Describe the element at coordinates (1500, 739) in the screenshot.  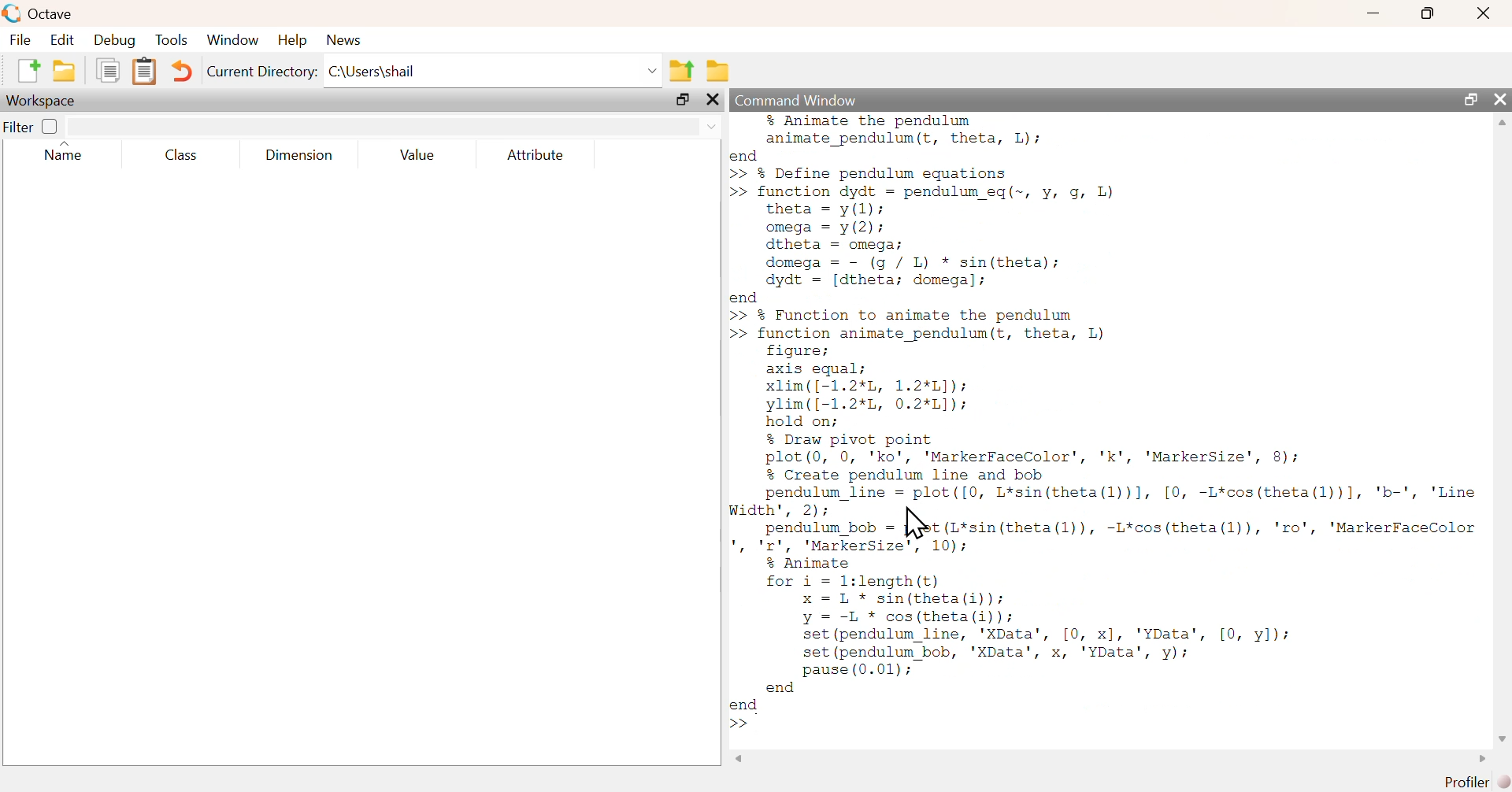
I see `Scroll down` at that location.